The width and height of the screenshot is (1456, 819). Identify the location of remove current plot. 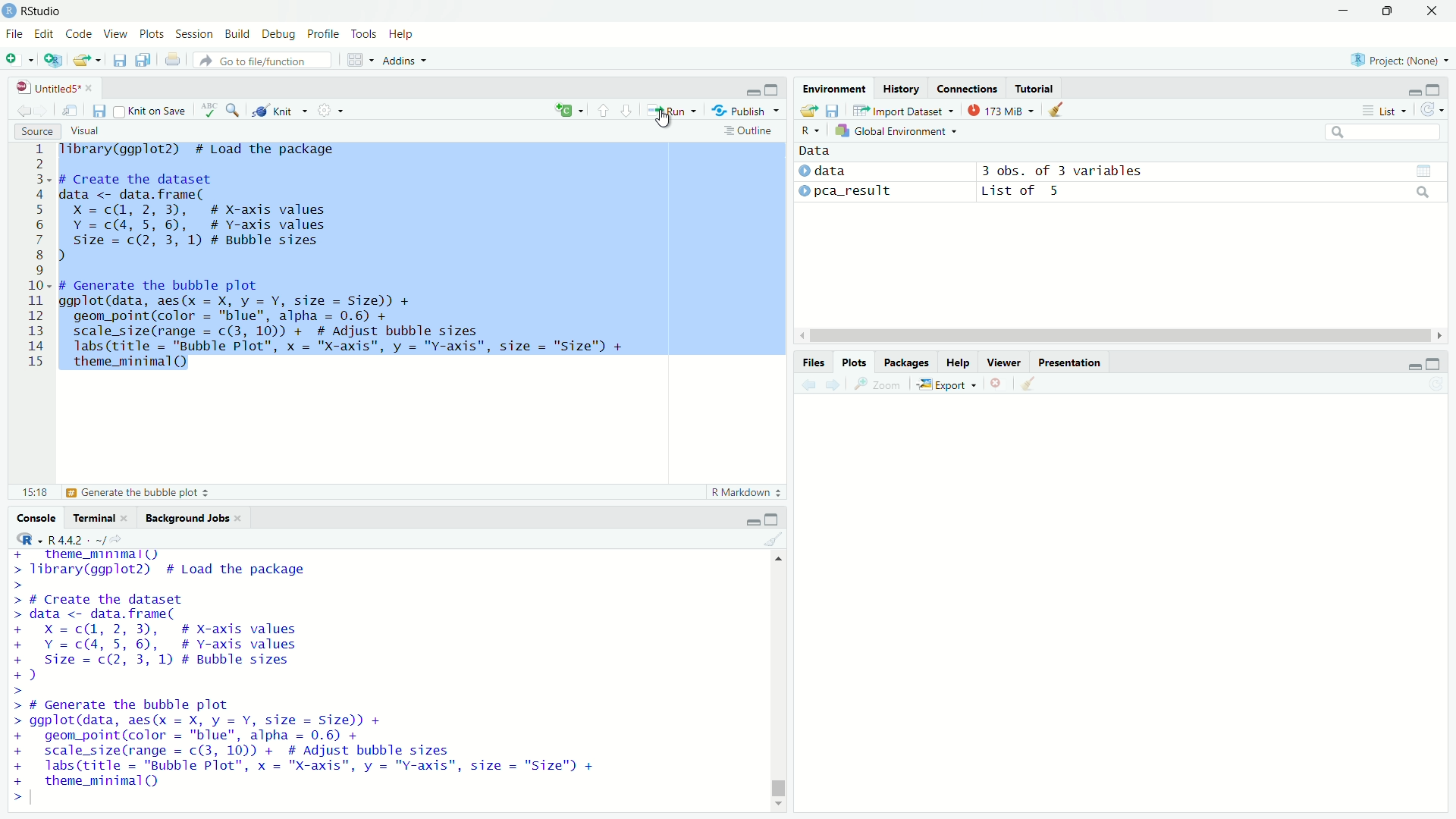
(998, 384).